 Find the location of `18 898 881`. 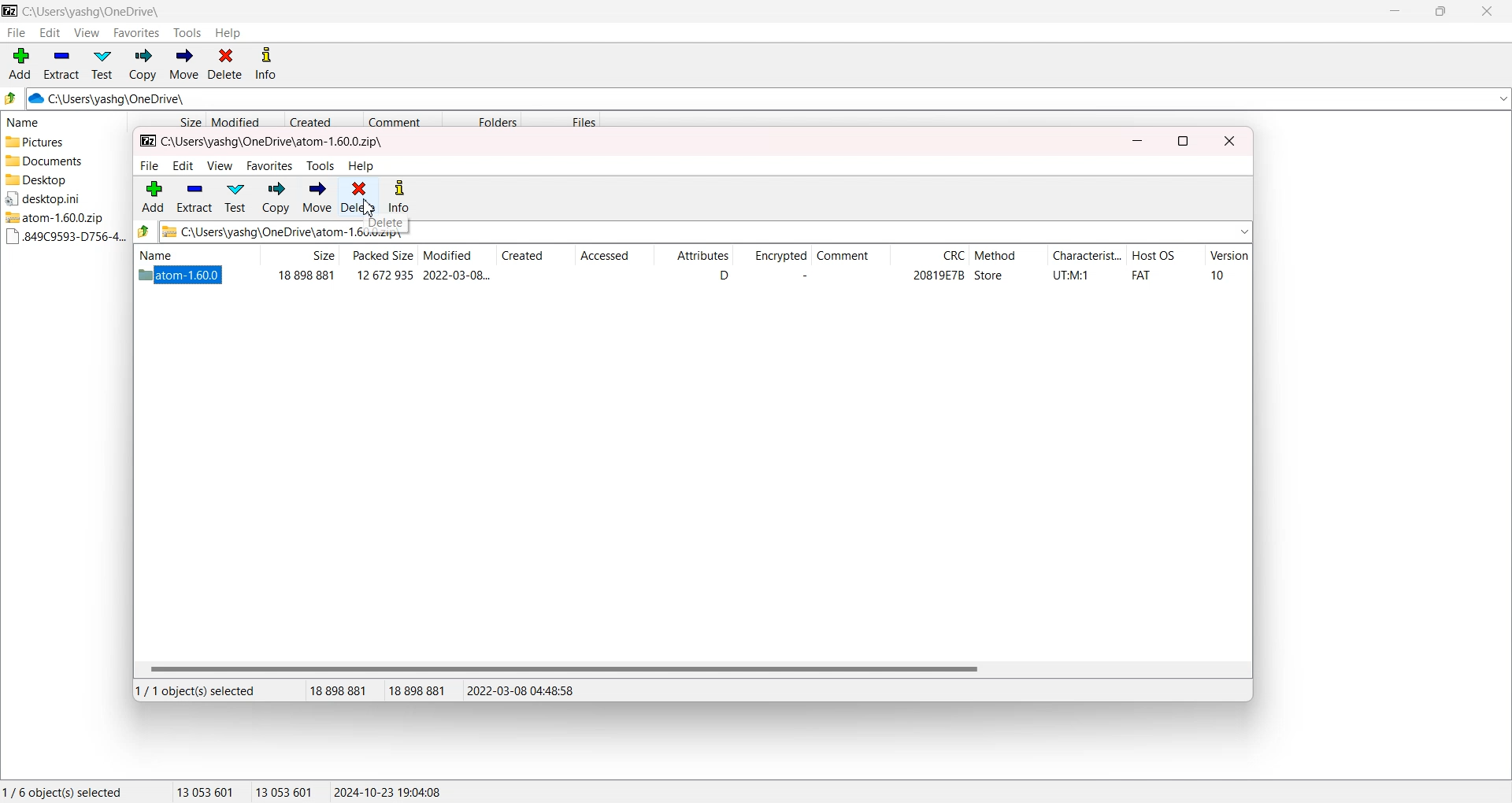

18 898 881 is located at coordinates (344, 691).